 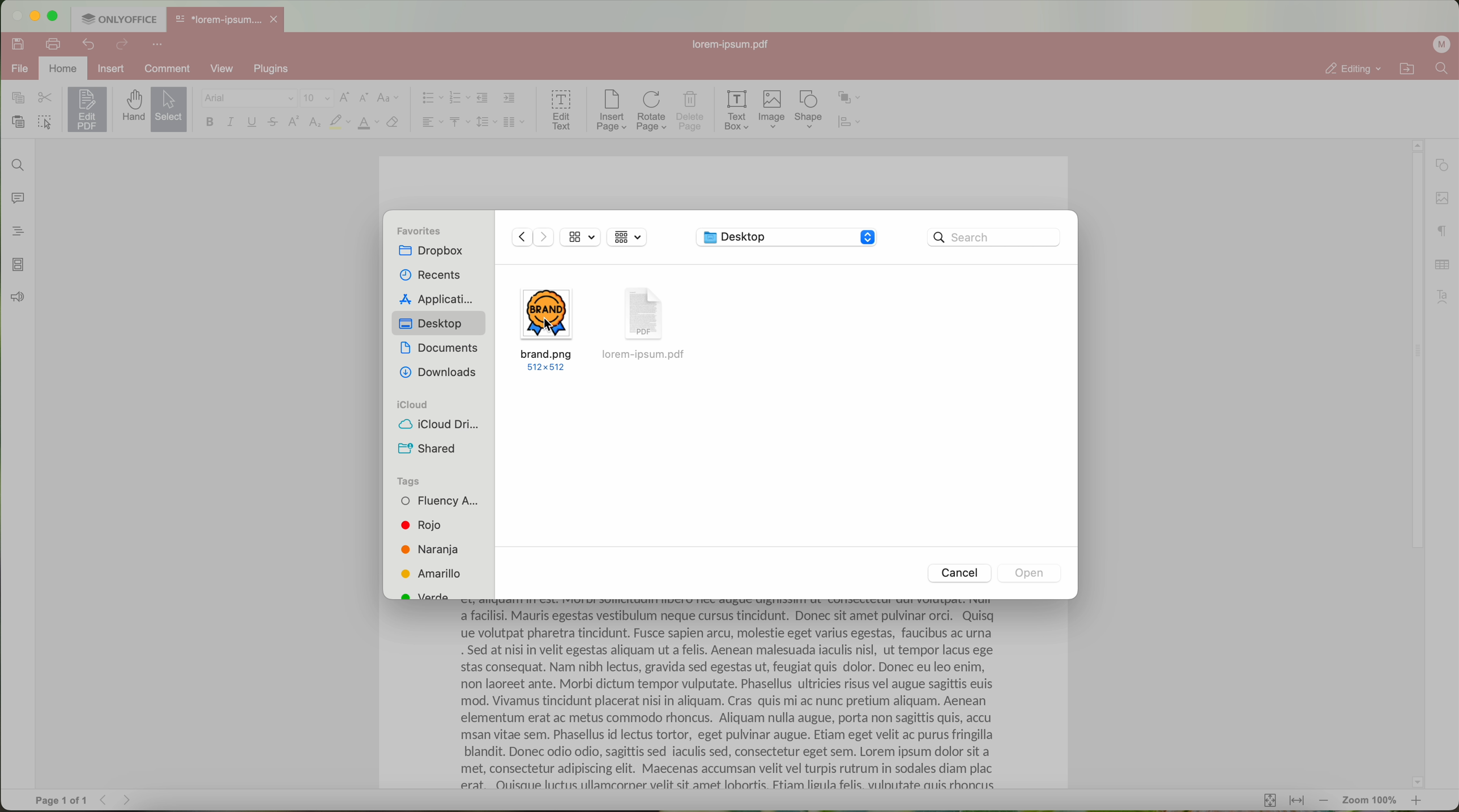 What do you see at coordinates (1411, 464) in the screenshot?
I see `scroll bar` at bounding box center [1411, 464].